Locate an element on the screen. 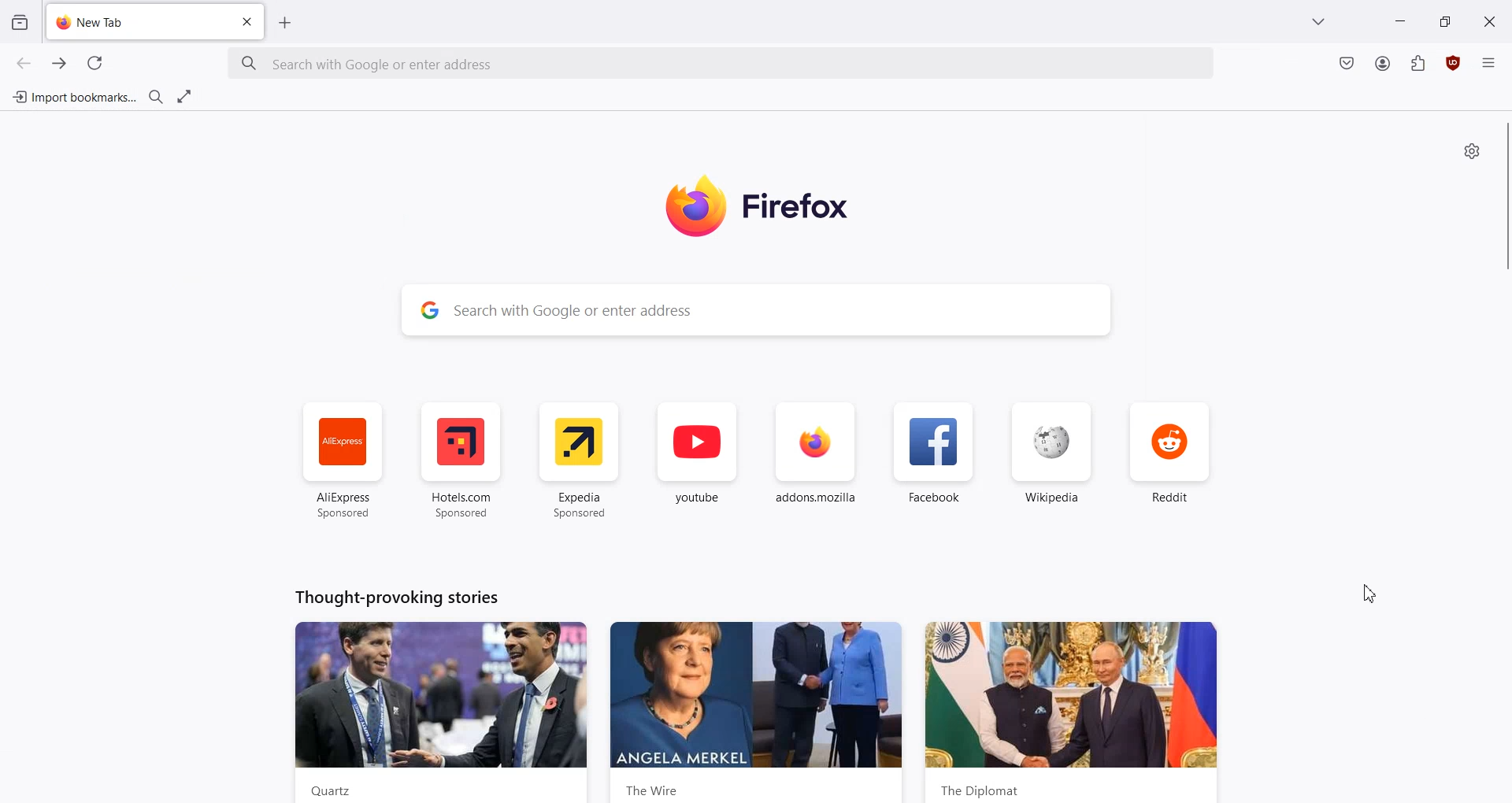  Go Back one page  is located at coordinates (22, 62).